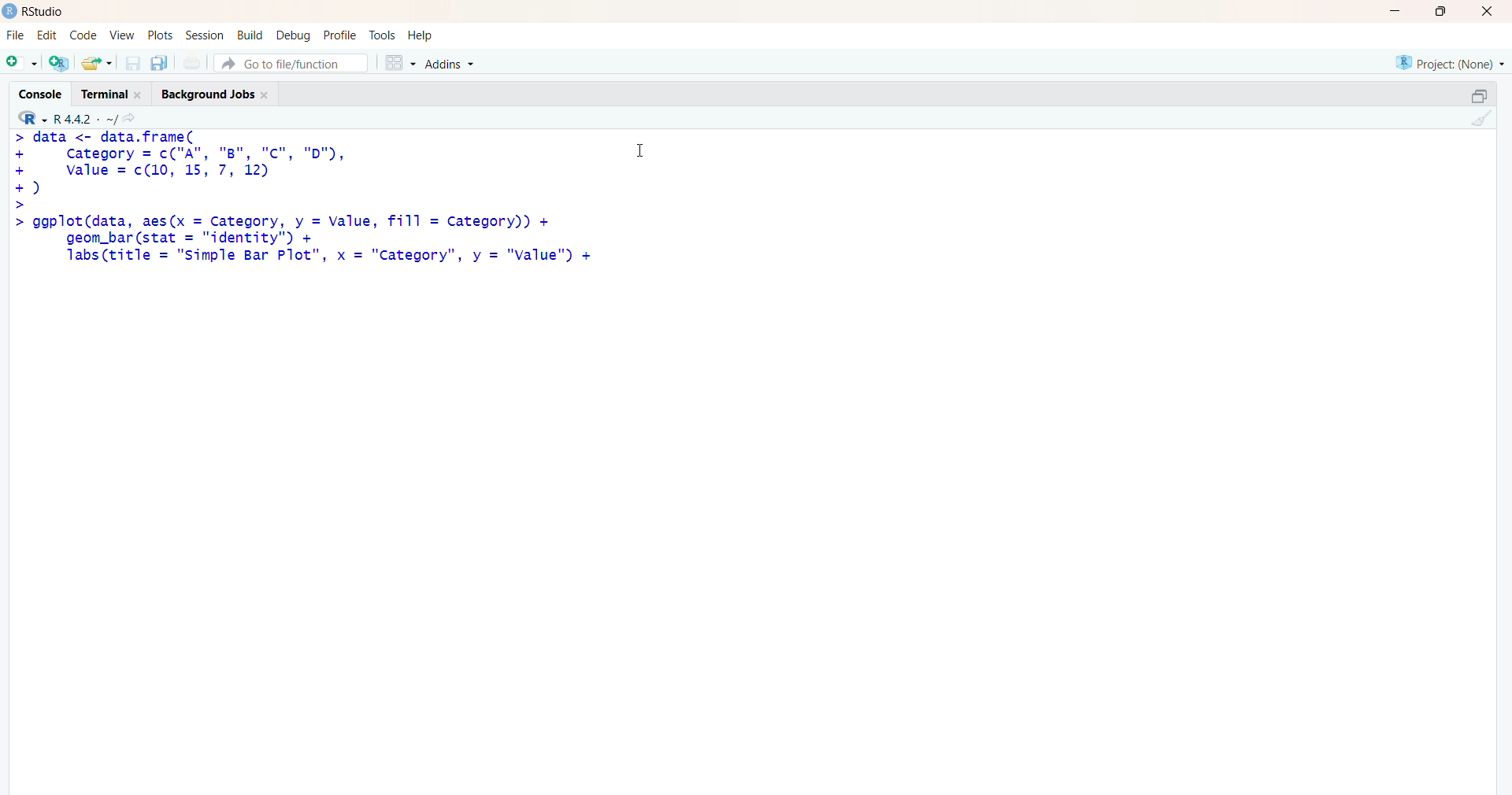 The height and width of the screenshot is (795, 1512). Describe the element at coordinates (10, 11) in the screenshot. I see `logo` at that location.